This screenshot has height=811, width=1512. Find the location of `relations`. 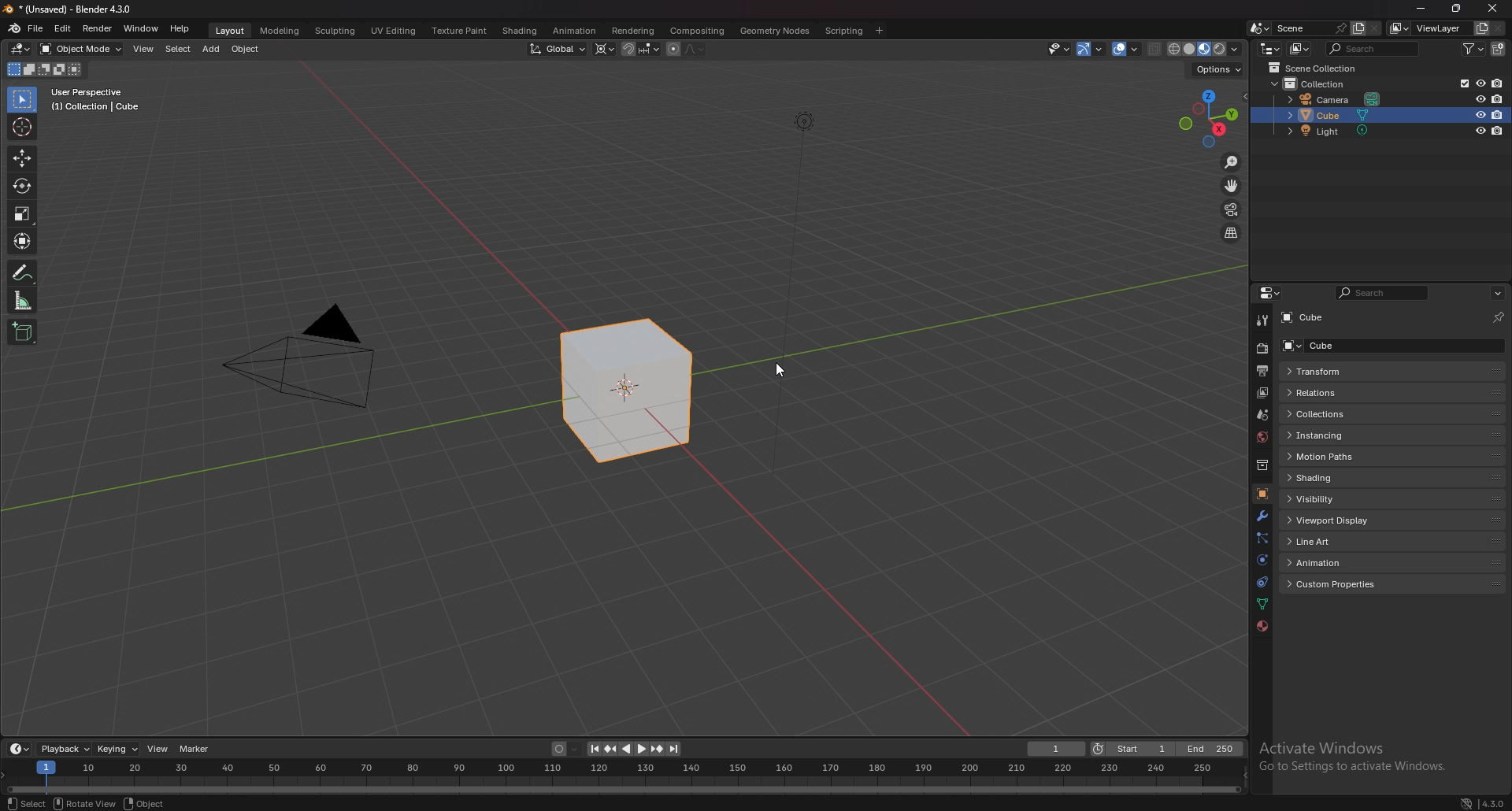

relations is located at coordinates (1339, 392).